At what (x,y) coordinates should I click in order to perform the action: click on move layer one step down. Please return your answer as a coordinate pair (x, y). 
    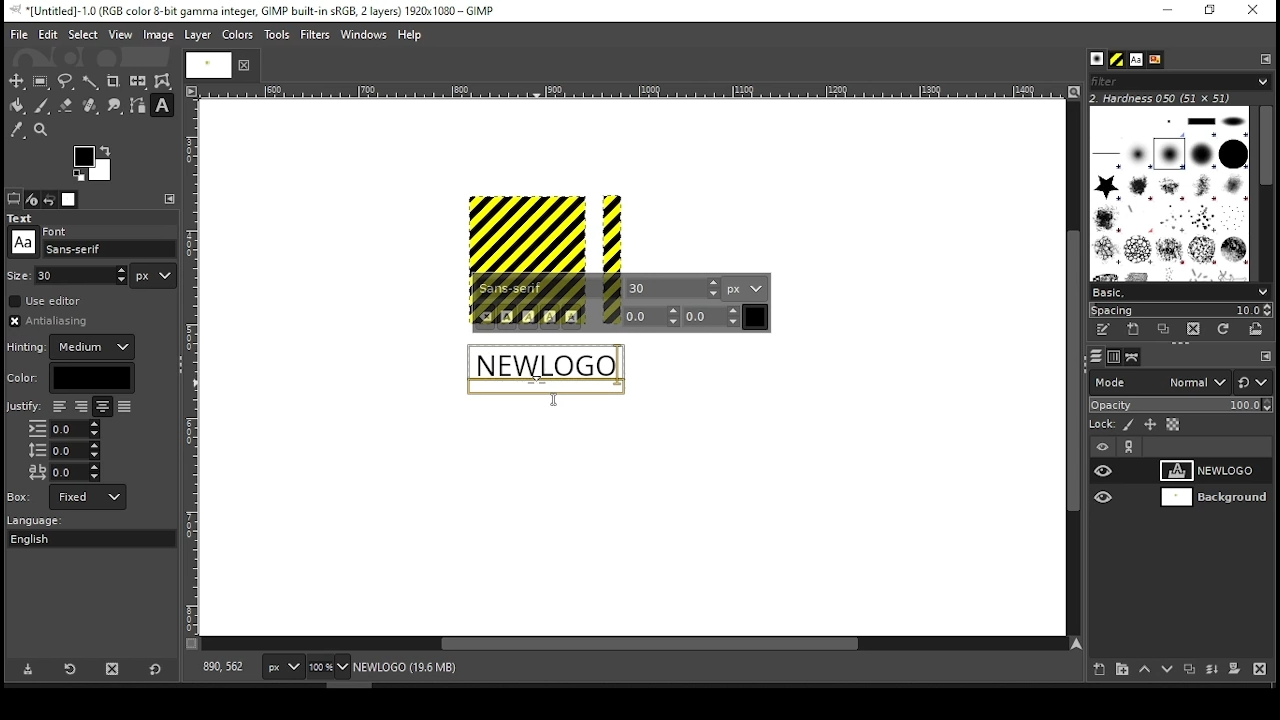
    Looking at the image, I should click on (1168, 671).